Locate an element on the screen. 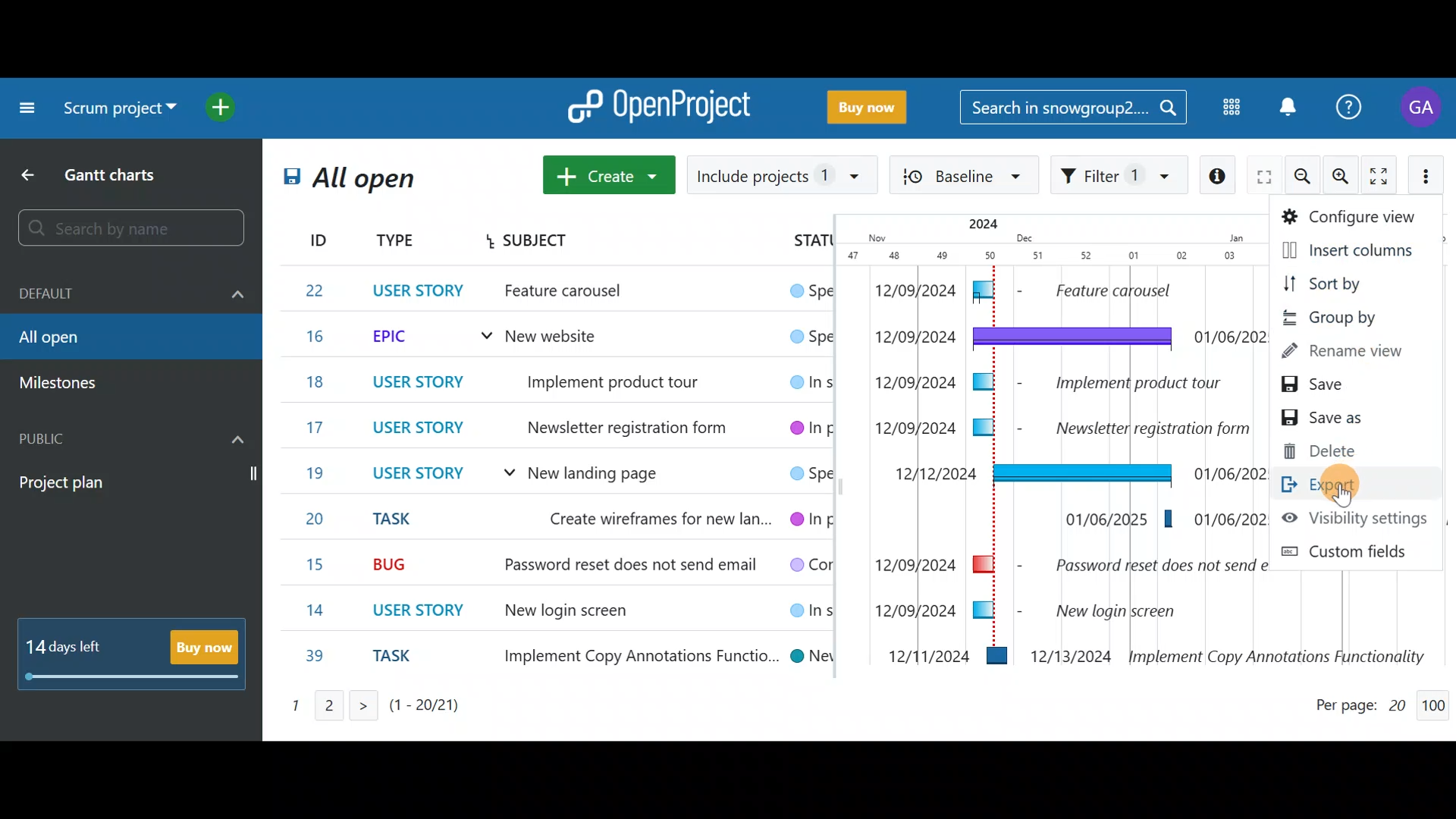  BUG is located at coordinates (394, 562).